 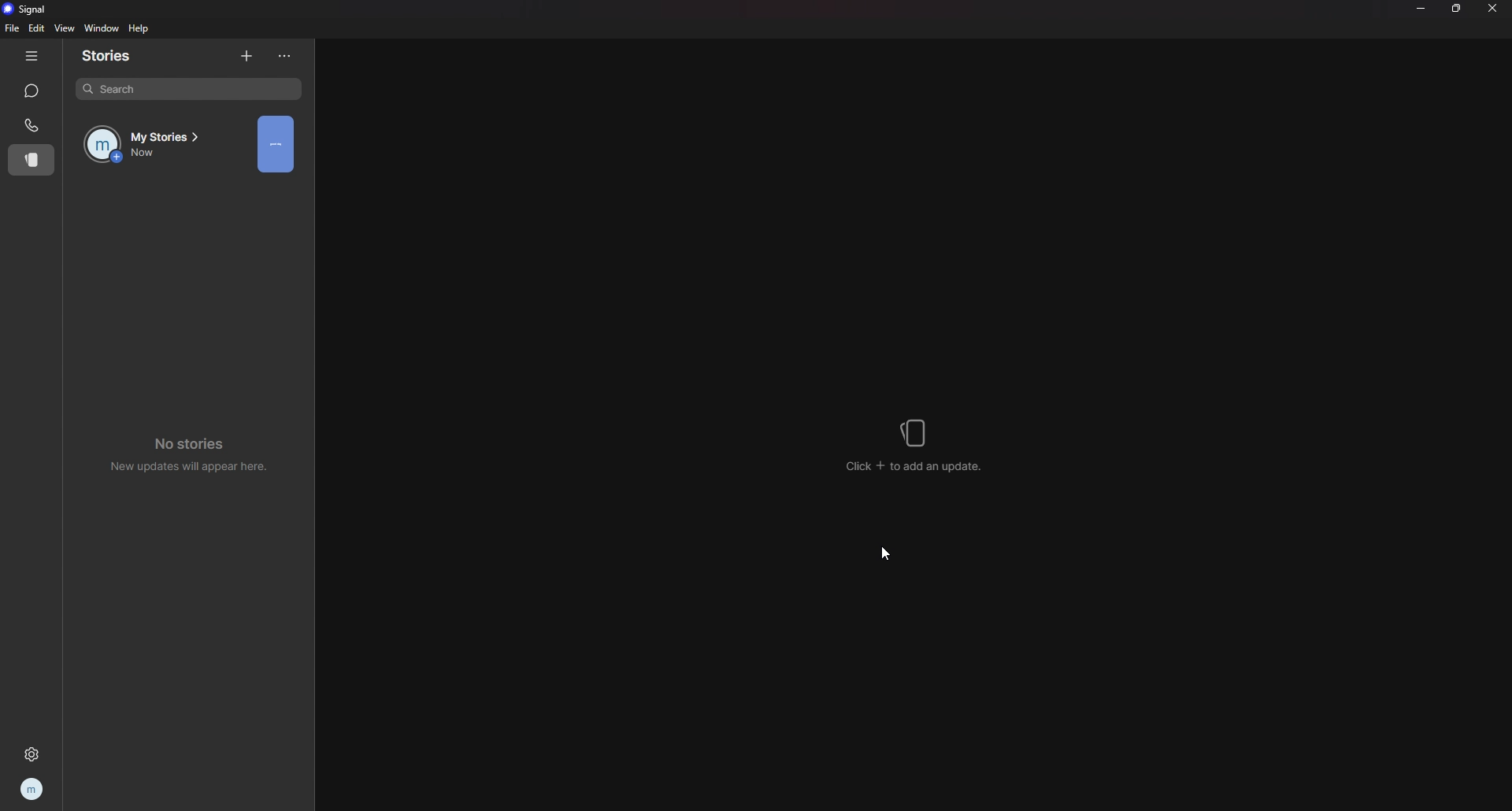 What do you see at coordinates (286, 57) in the screenshot?
I see `options` at bounding box center [286, 57].